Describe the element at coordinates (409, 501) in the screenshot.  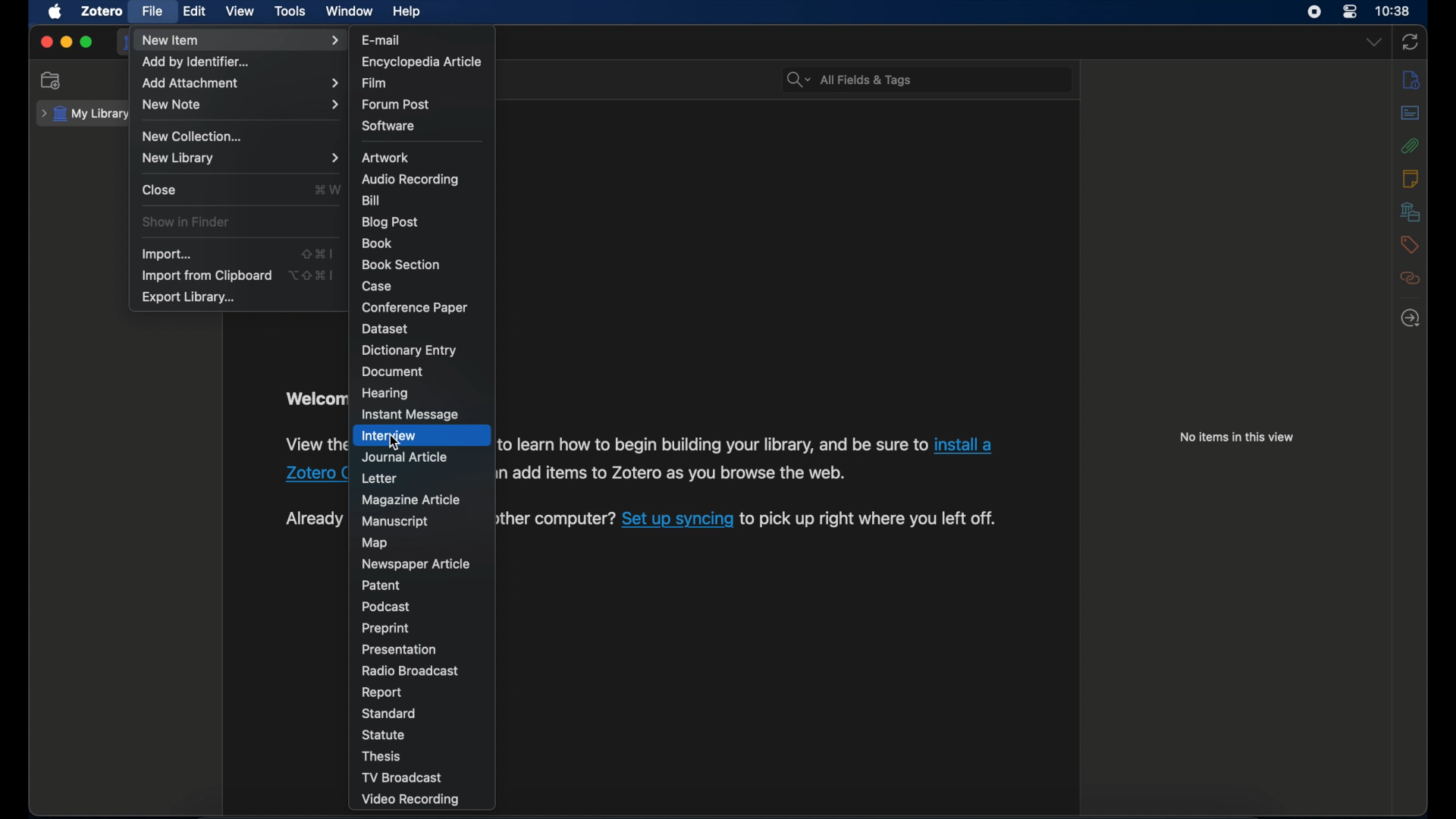
I see `magazine article` at that location.